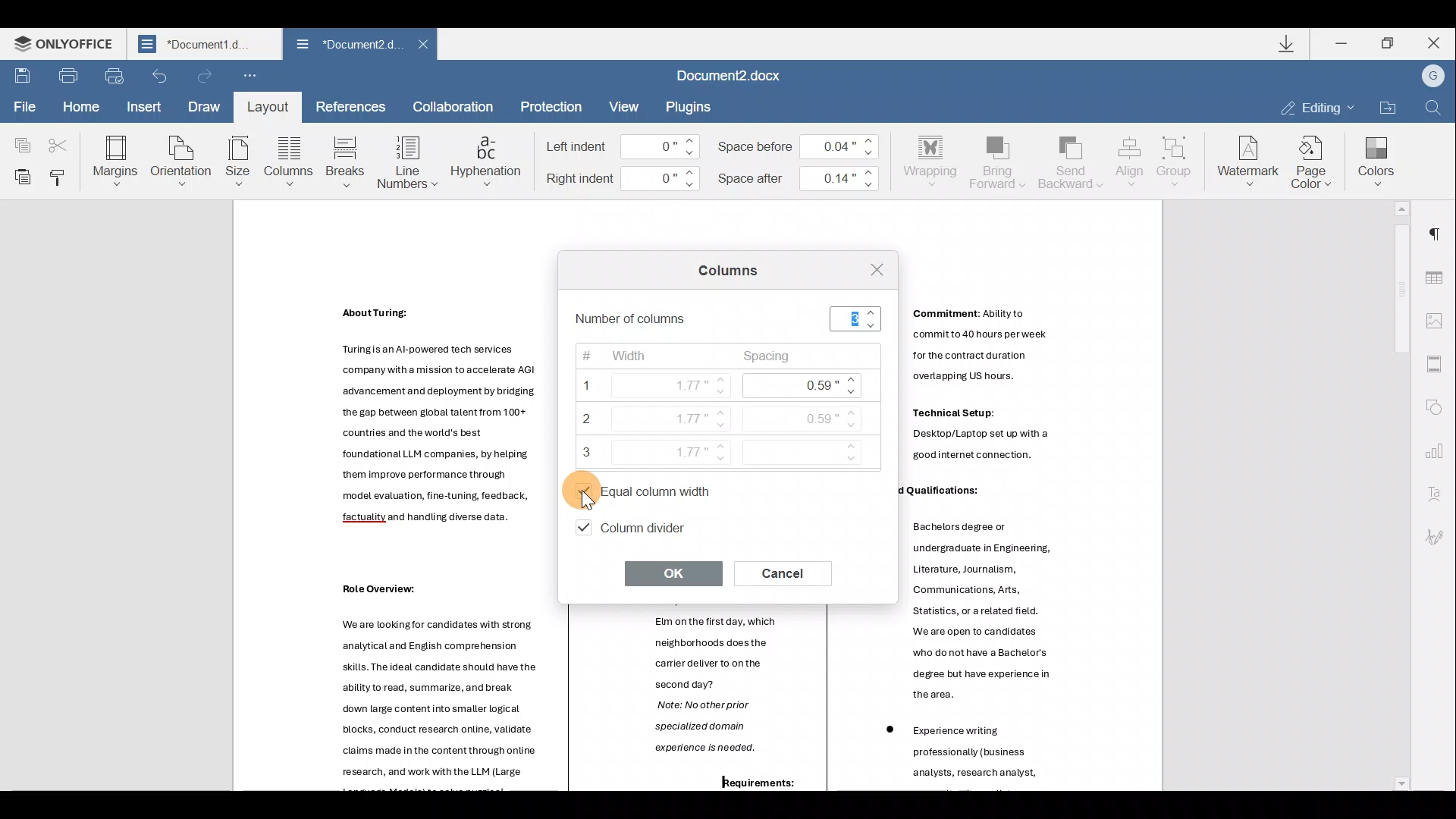  What do you see at coordinates (22, 105) in the screenshot?
I see `File` at bounding box center [22, 105].